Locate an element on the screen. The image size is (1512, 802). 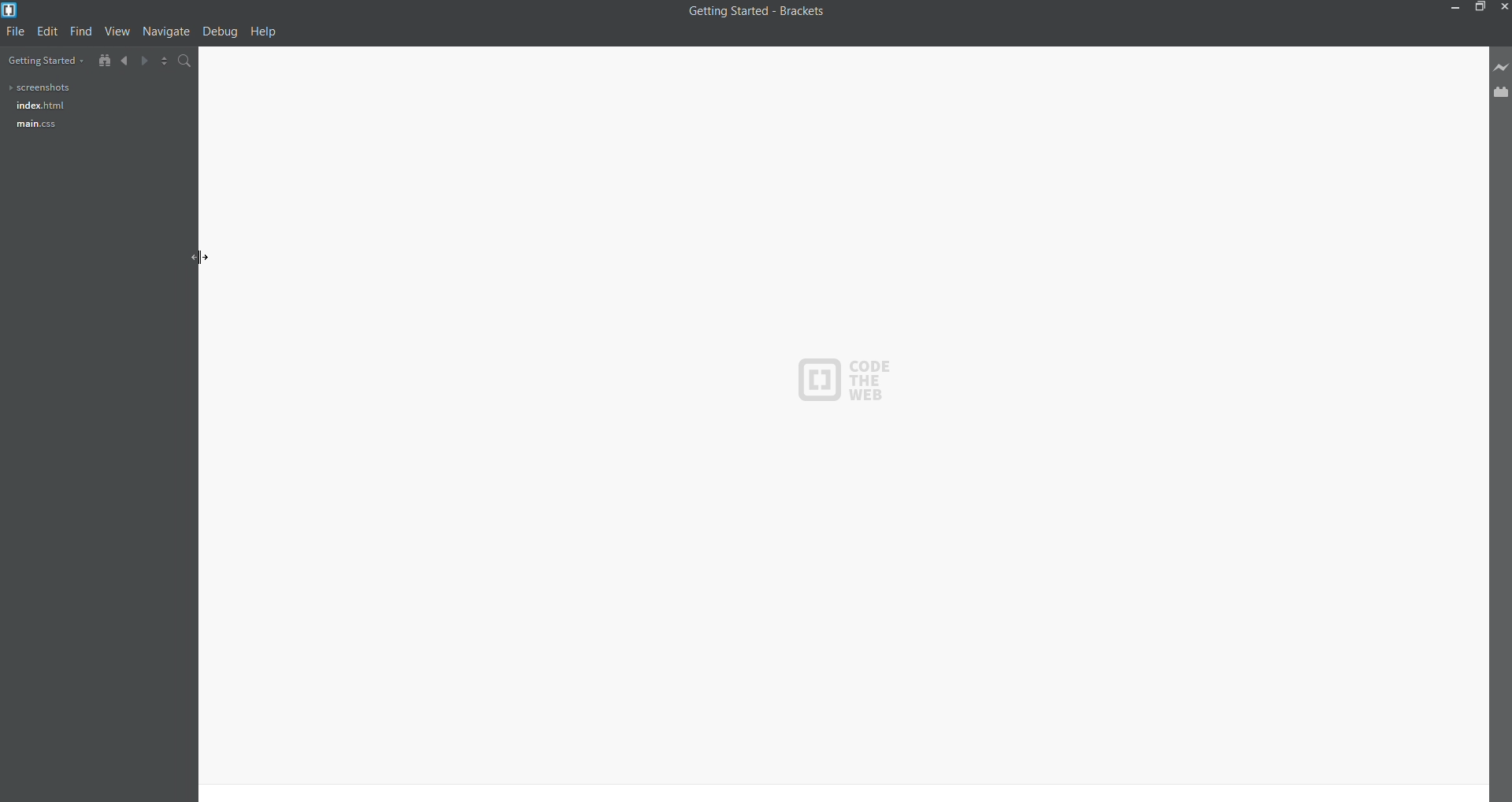
debug is located at coordinates (220, 32).